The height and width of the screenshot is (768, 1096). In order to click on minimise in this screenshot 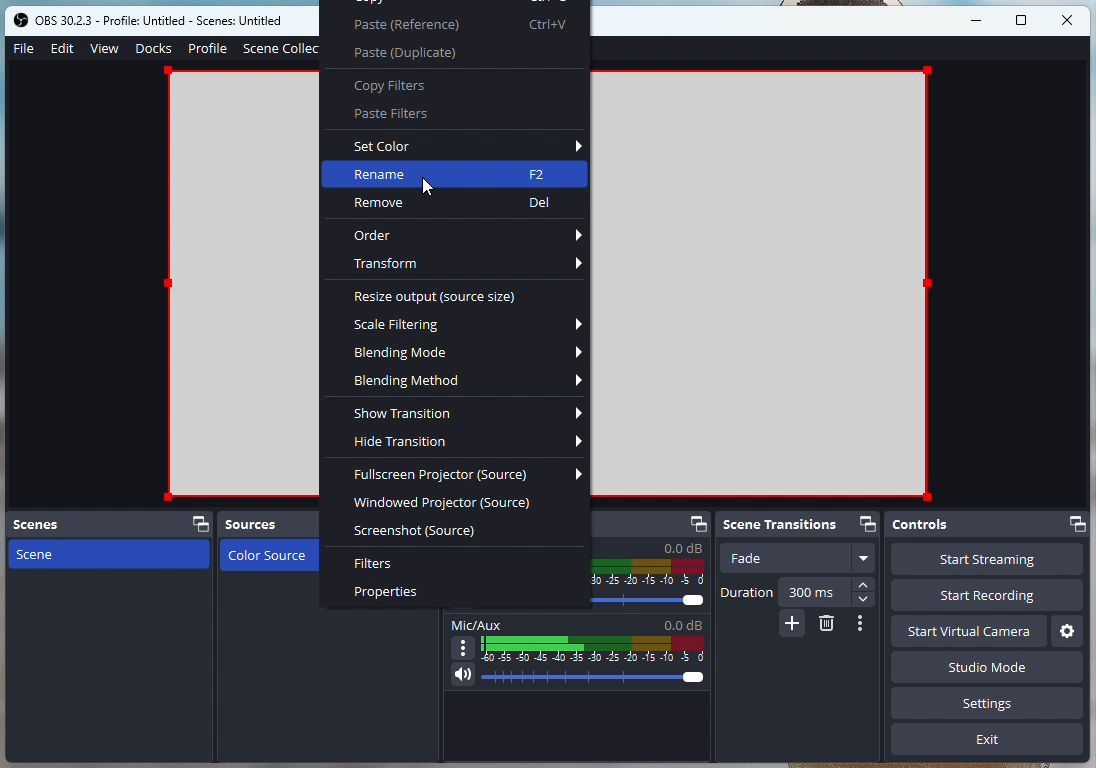, I will do `click(980, 20)`.